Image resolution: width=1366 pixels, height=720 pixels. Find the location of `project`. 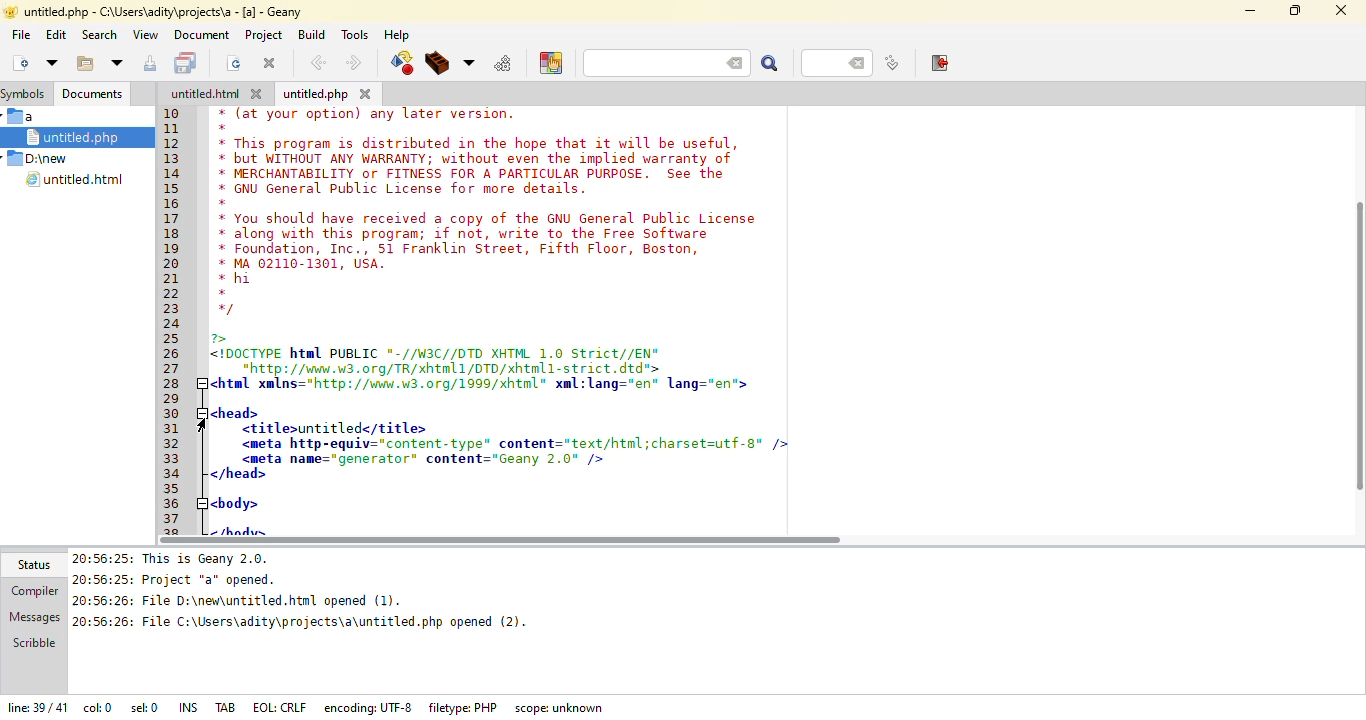

project is located at coordinates (264, 35).